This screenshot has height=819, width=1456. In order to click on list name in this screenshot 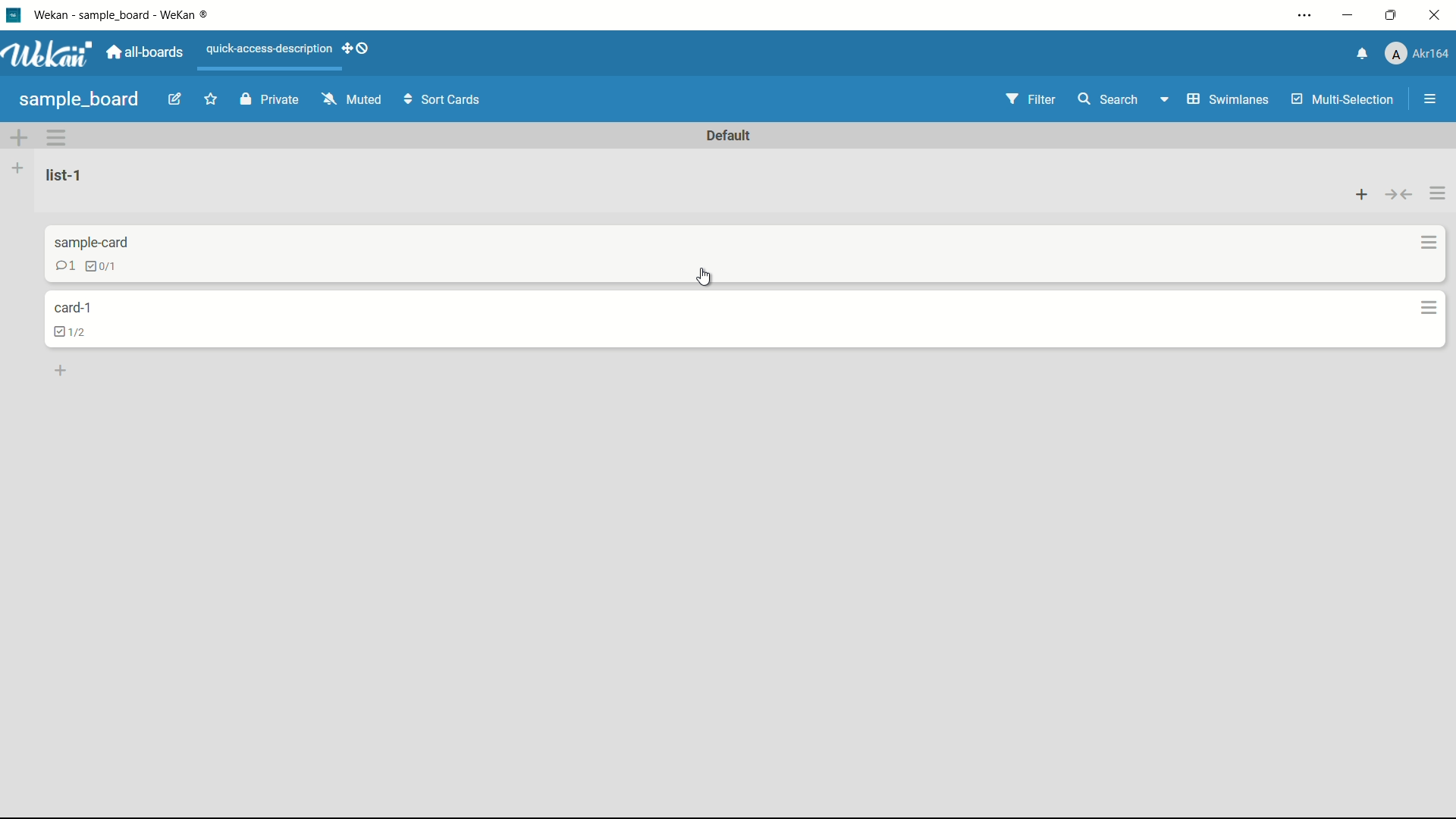, I will do `click(67, 175)`.